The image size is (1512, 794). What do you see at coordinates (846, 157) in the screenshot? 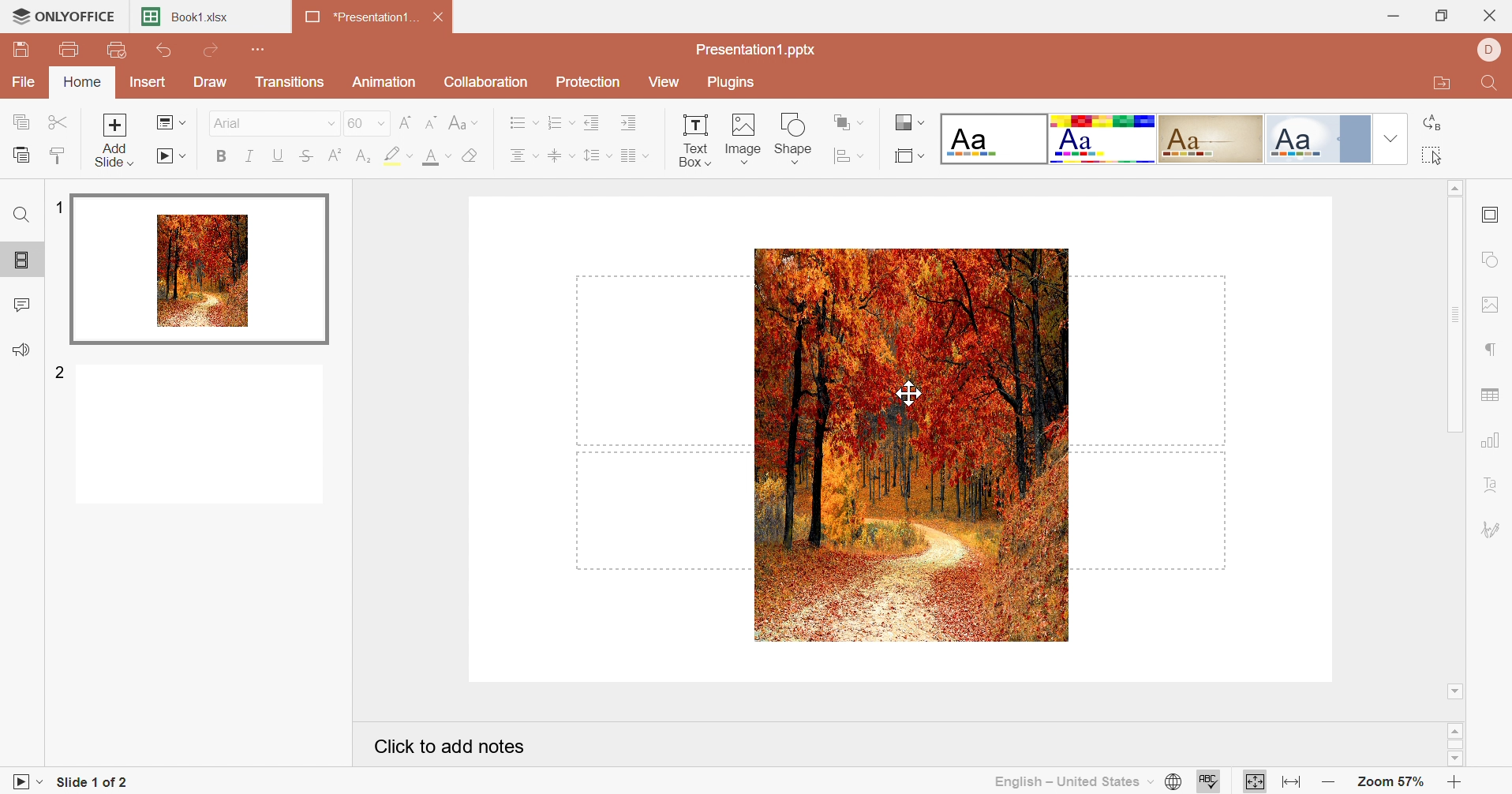
I see `Align shape` at bounding box center [846, 157].